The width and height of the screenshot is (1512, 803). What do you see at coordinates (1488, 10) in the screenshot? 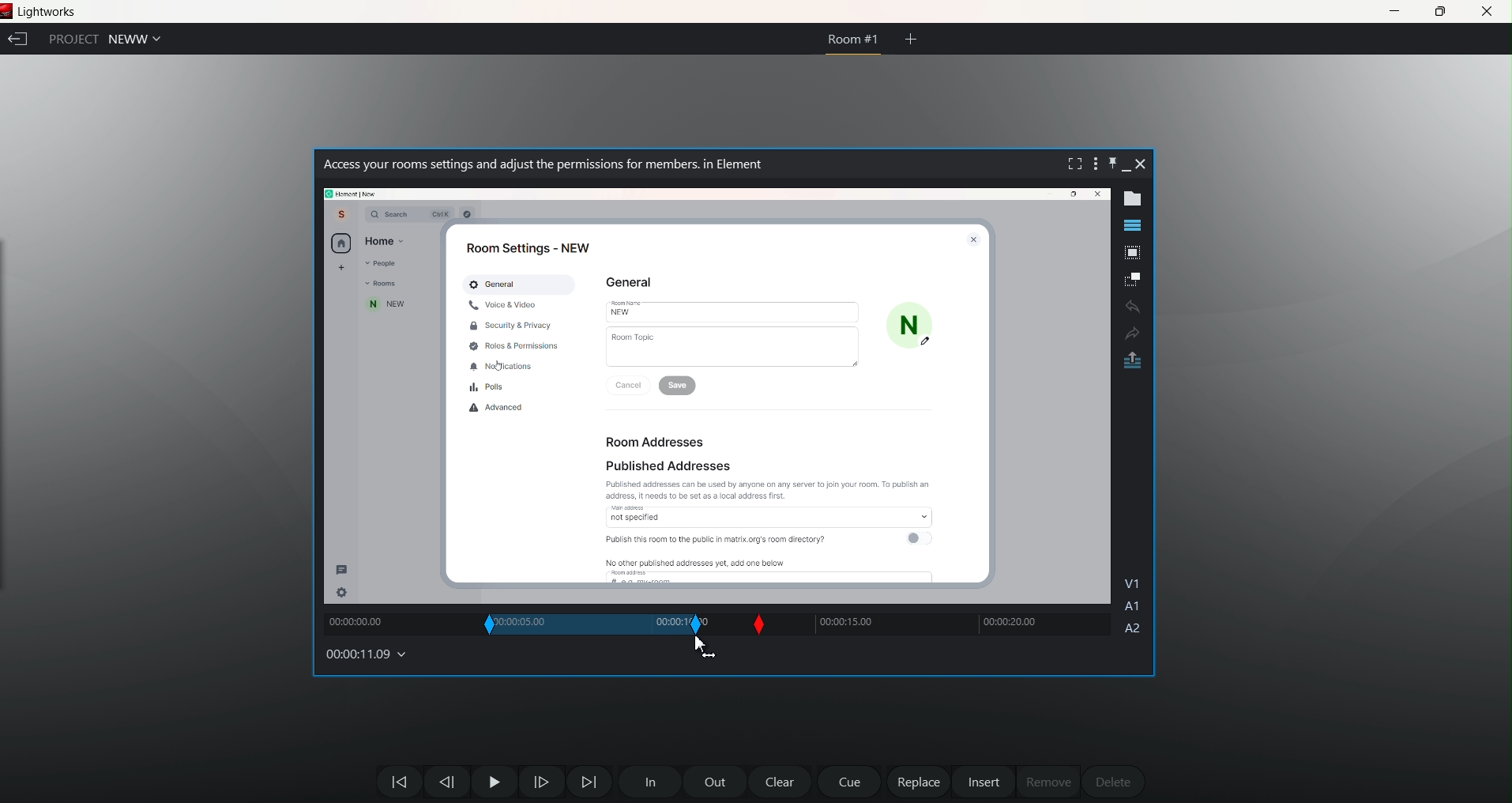
I see `close` at bounding box center [1488, 10].